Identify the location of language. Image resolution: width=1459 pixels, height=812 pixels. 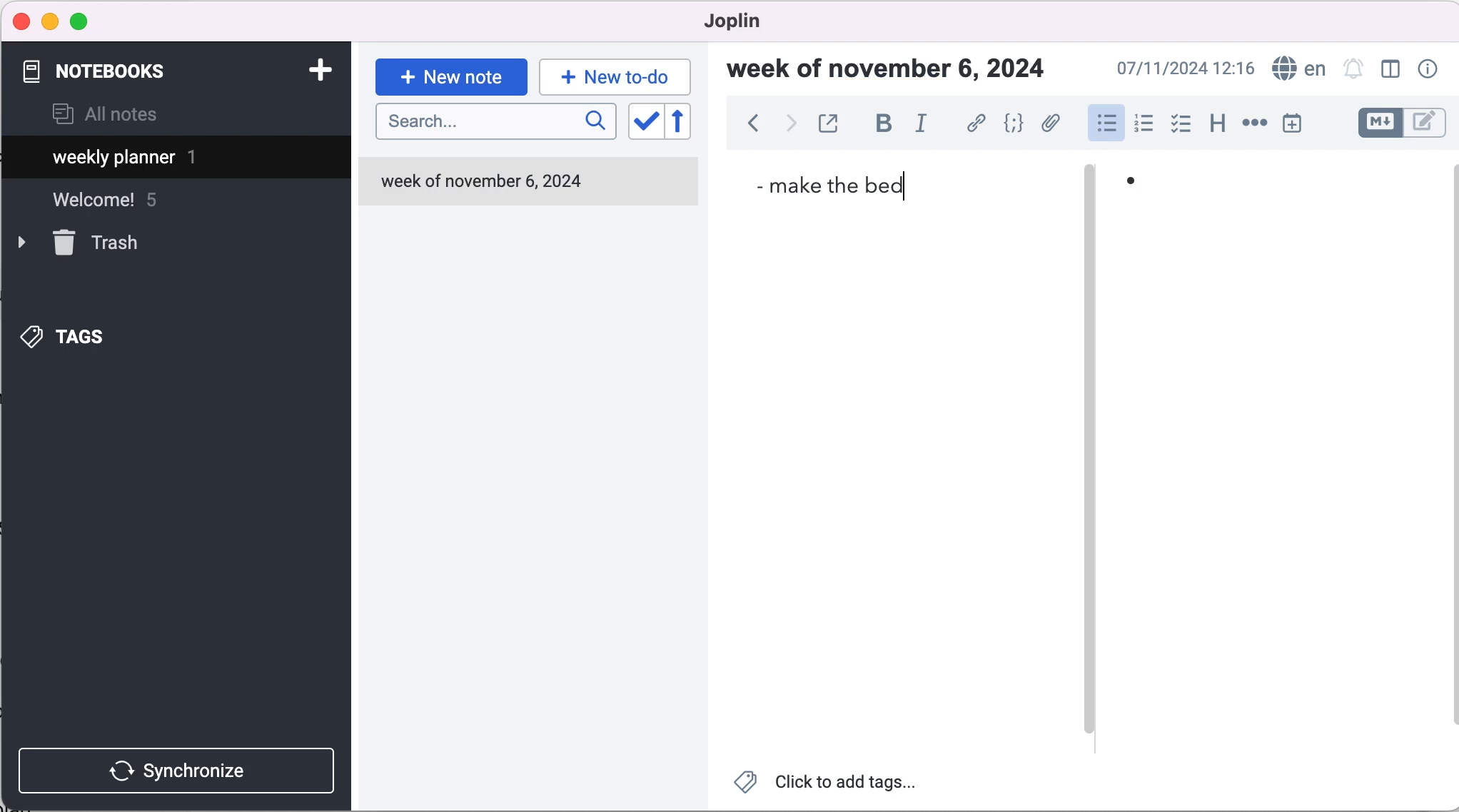
(1296, 69).